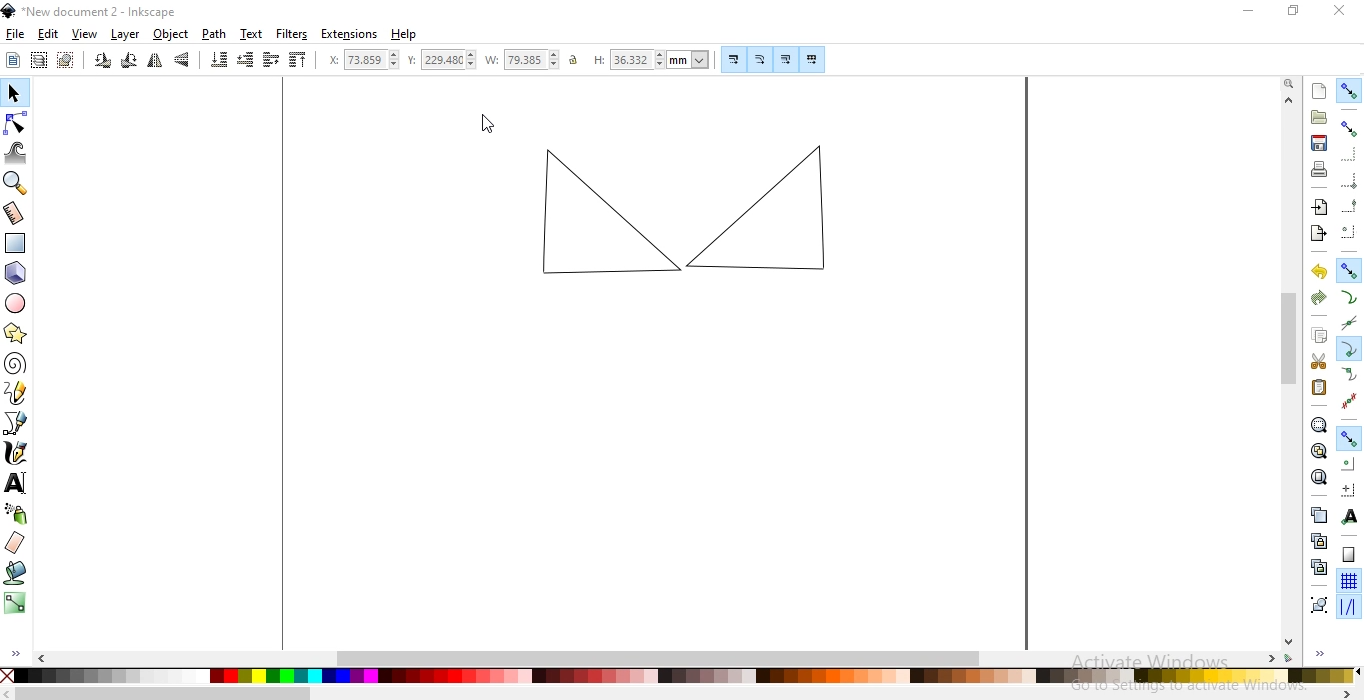 The image size is (1364, 700). What do you see at coordinates (17, 302) in the screenshot?
I see `create circles, arcs and ellipses` at bounding box center [17, 302].